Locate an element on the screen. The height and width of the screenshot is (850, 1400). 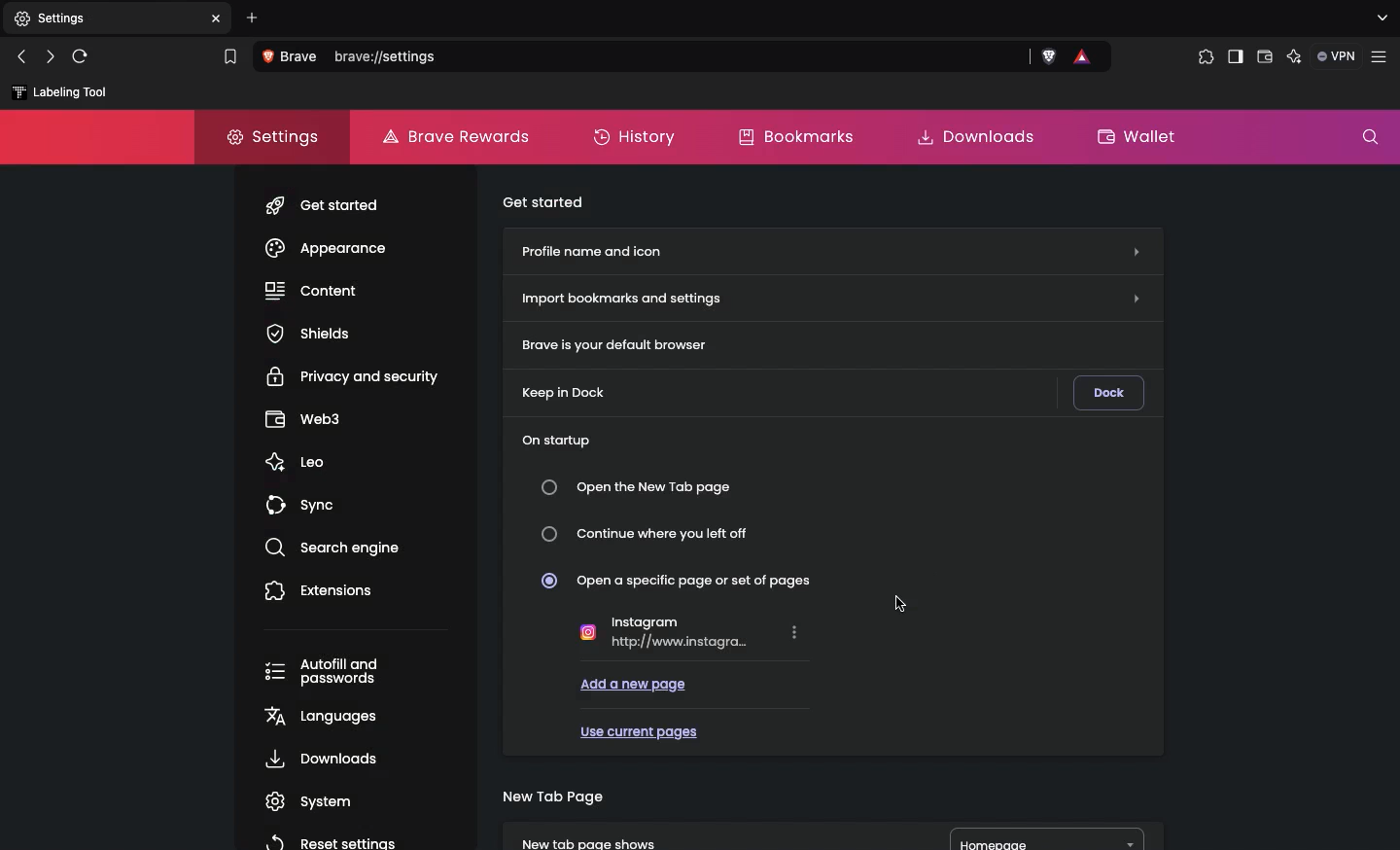
Dock is located at coordinates (1104, 389).